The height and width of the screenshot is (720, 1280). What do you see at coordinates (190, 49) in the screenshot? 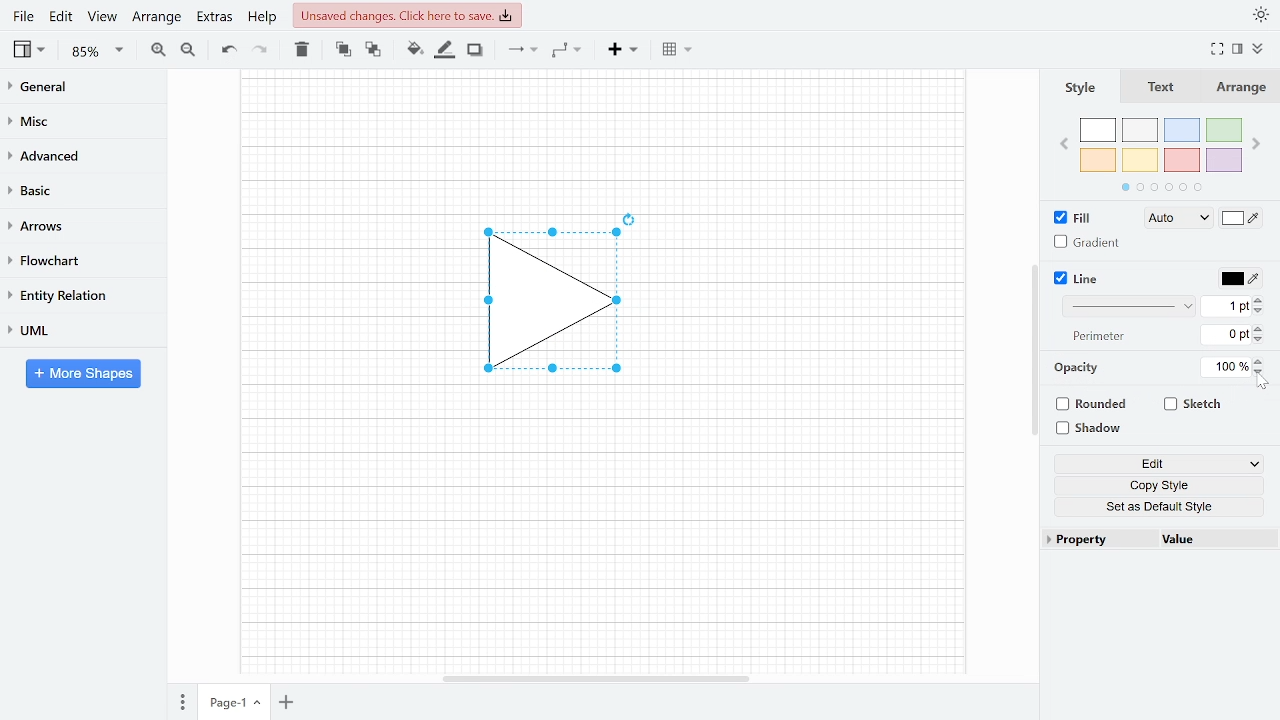
I see `Zoom out` at bounding box center [190, 49].